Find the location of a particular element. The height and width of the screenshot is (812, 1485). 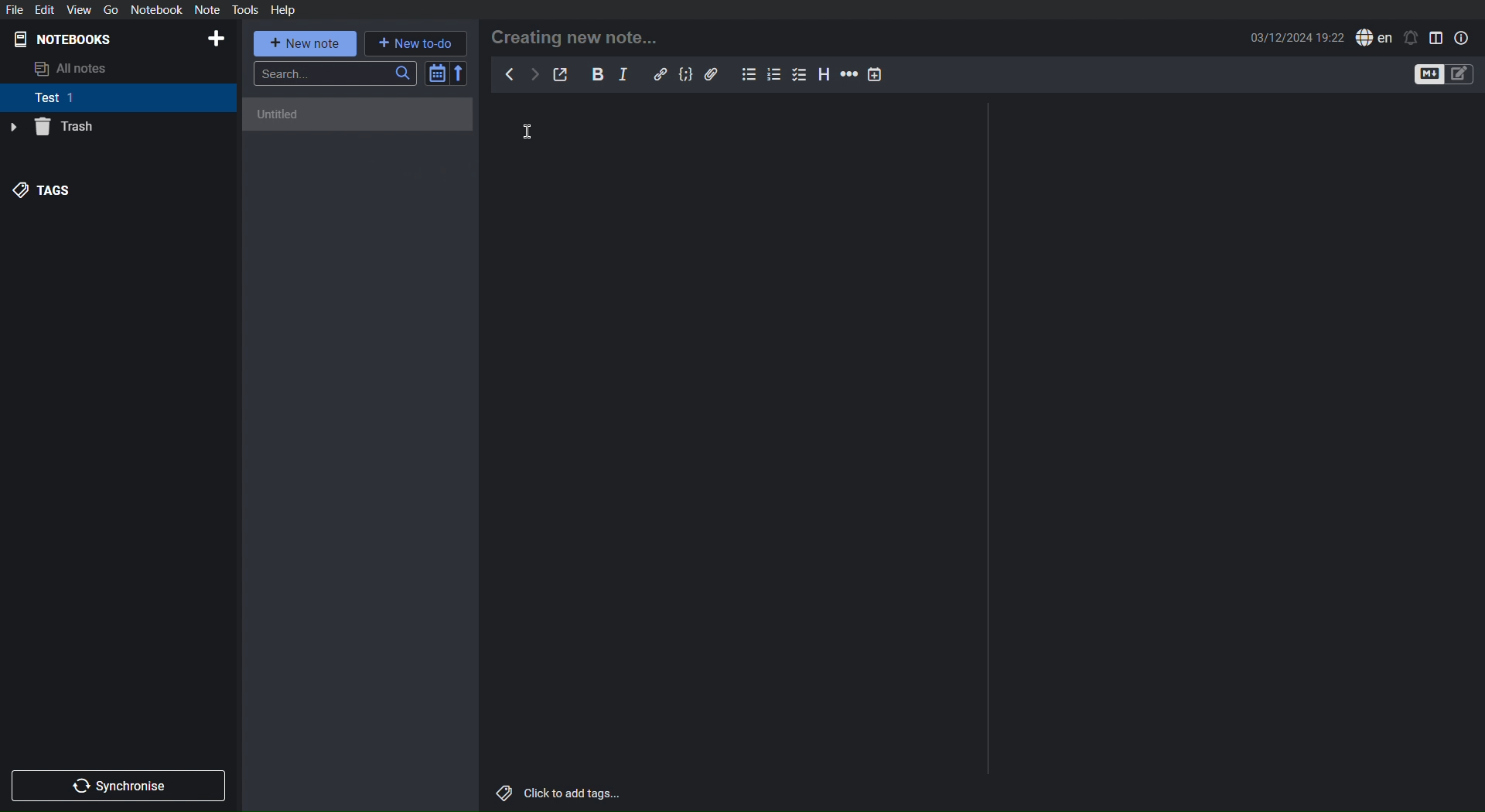

Toggle Editor View is located at coordinates (1436, 39).